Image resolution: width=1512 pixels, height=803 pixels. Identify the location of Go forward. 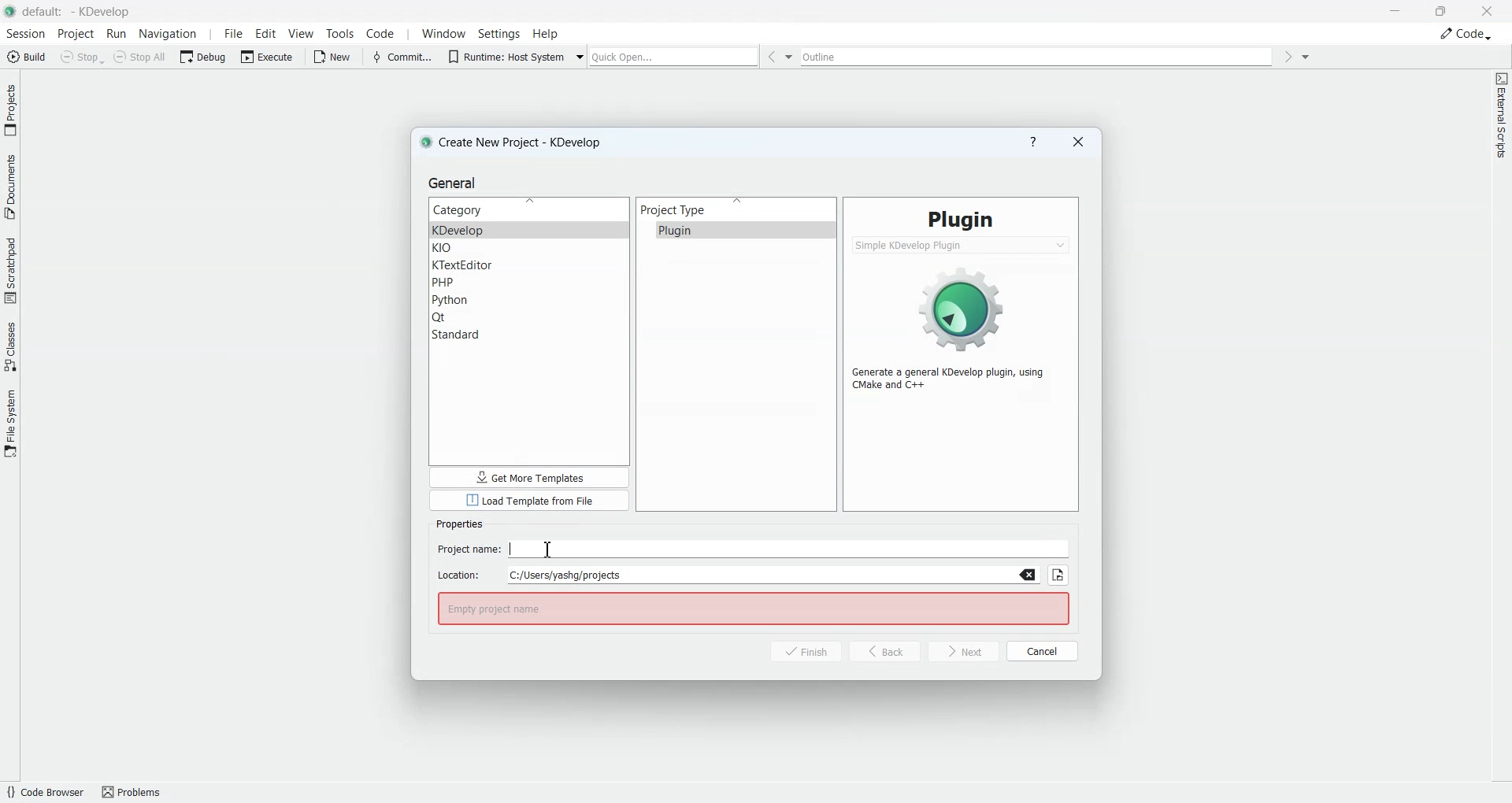
(1288, 57).